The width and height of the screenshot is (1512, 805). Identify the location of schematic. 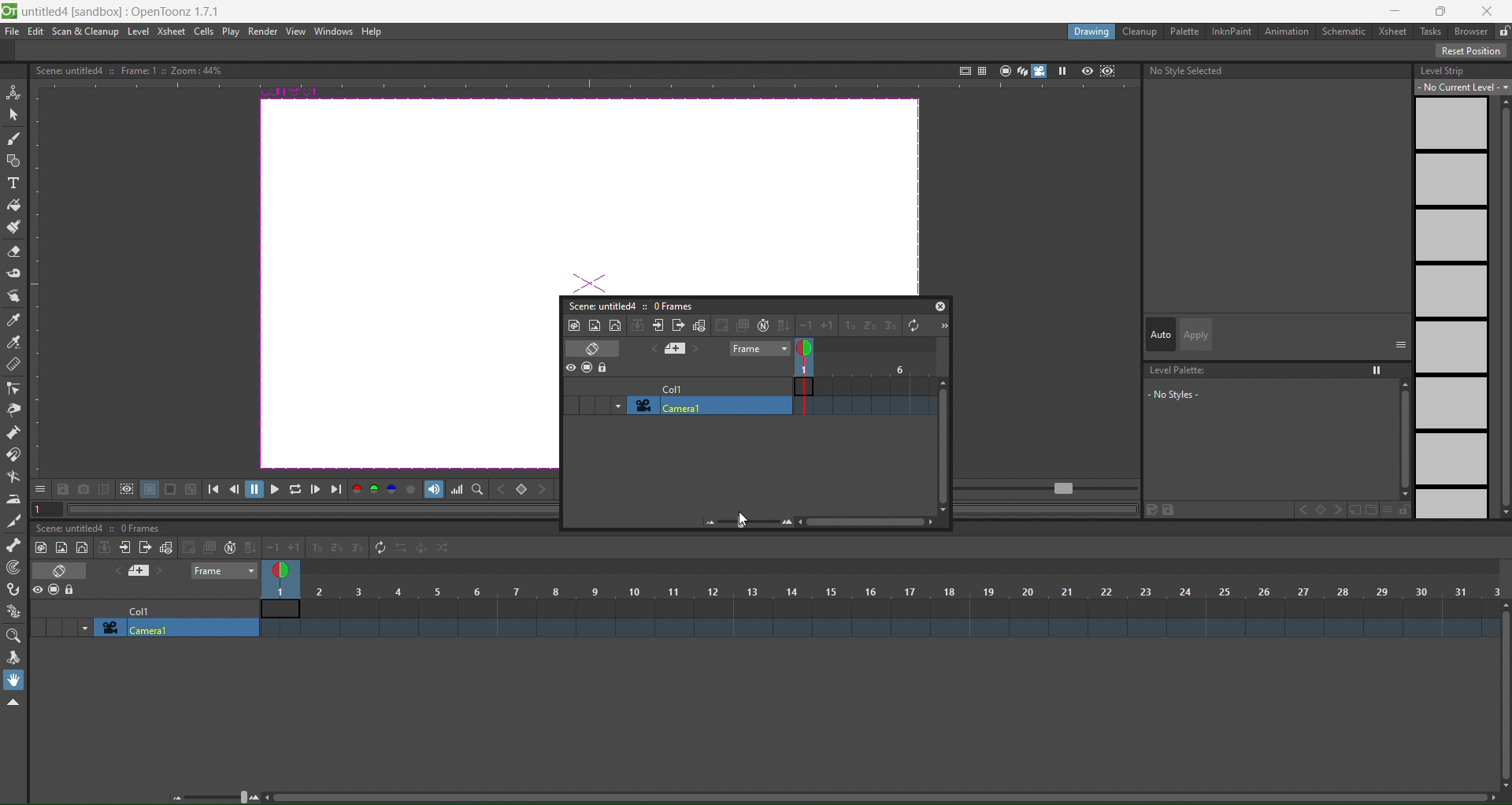
(1347, 32).